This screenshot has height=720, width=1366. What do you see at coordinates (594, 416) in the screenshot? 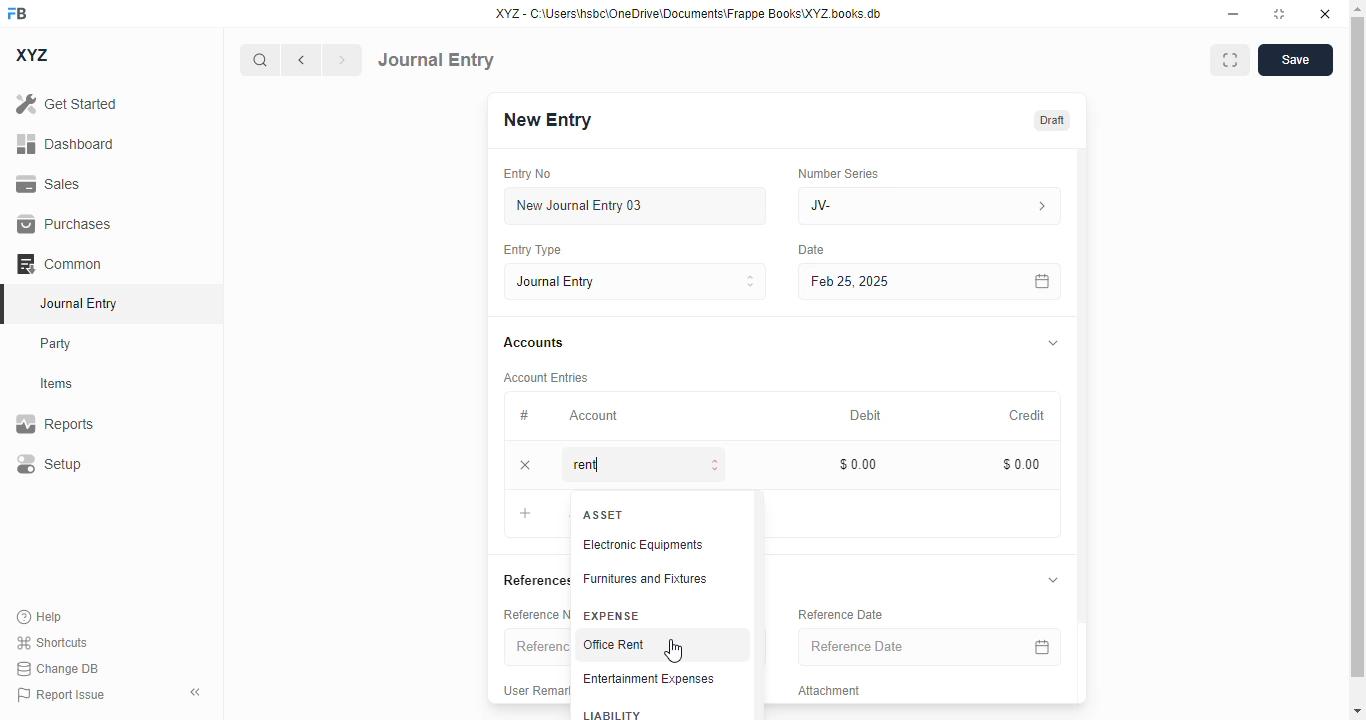
I see `account` at bounding box center [594, 416].